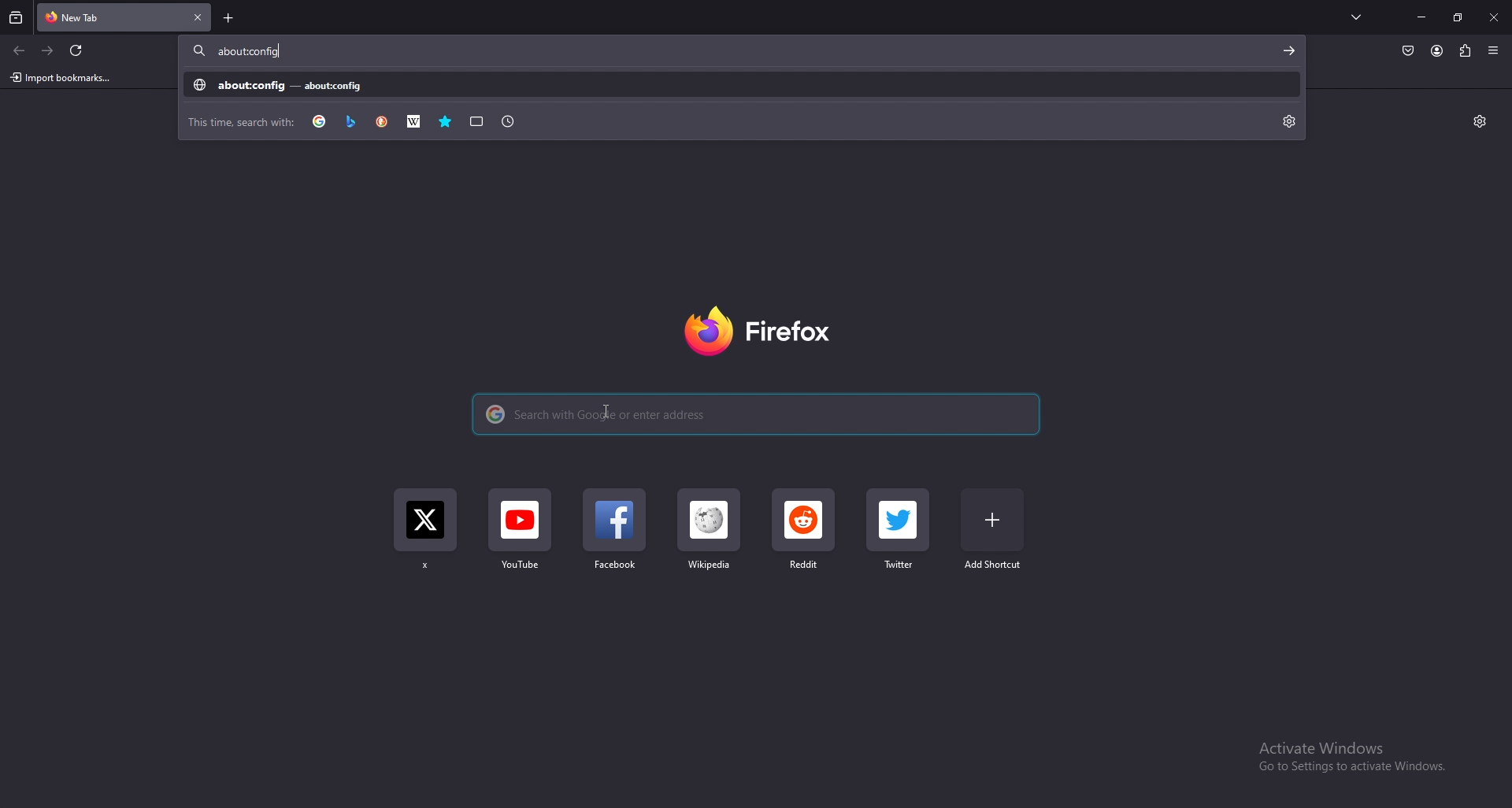 The height and width of the screenshot is (808, 1512). I want to click on search, so click(301, 50).